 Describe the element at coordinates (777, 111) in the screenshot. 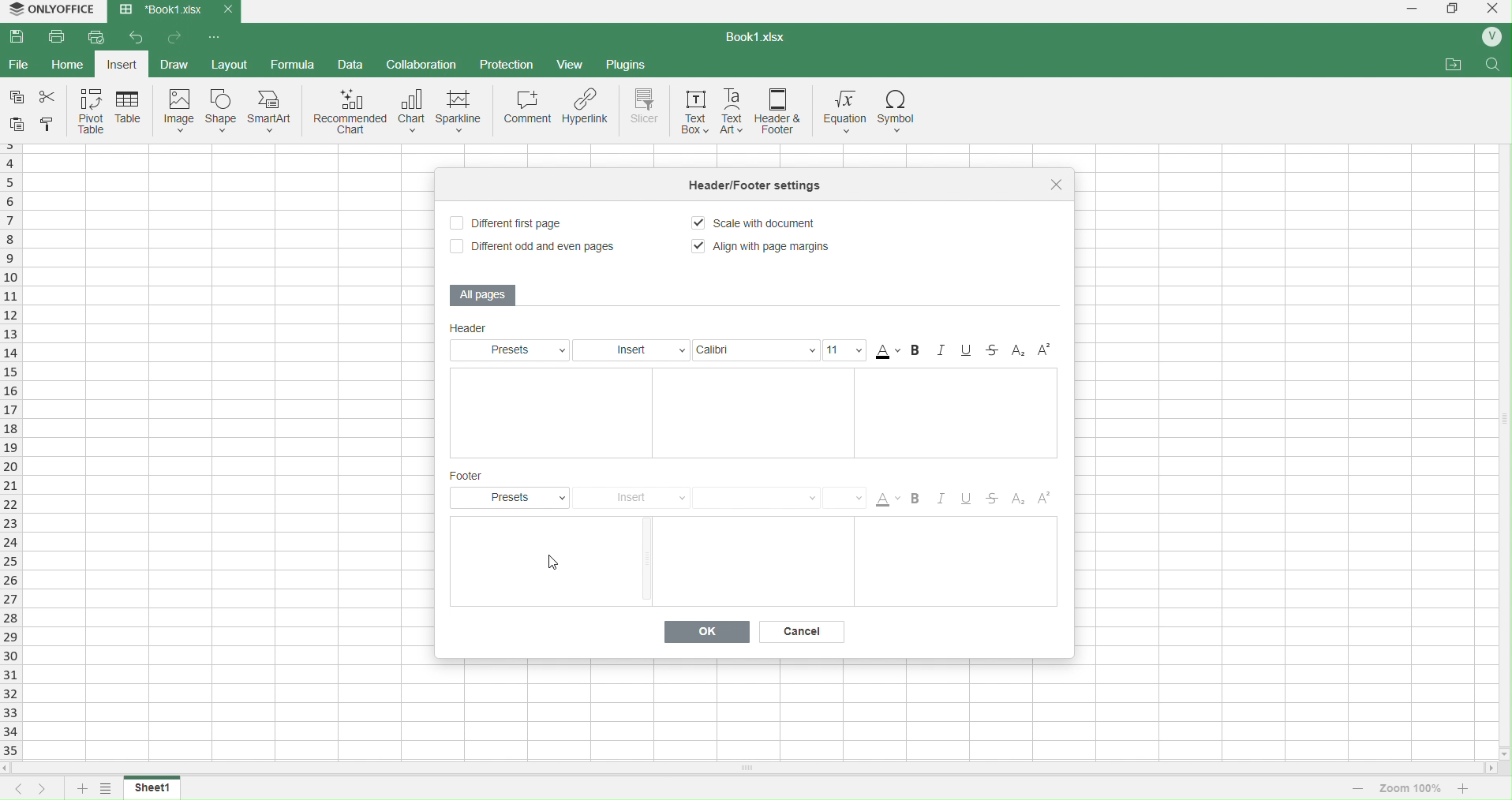

I see `header and footer` at that location.